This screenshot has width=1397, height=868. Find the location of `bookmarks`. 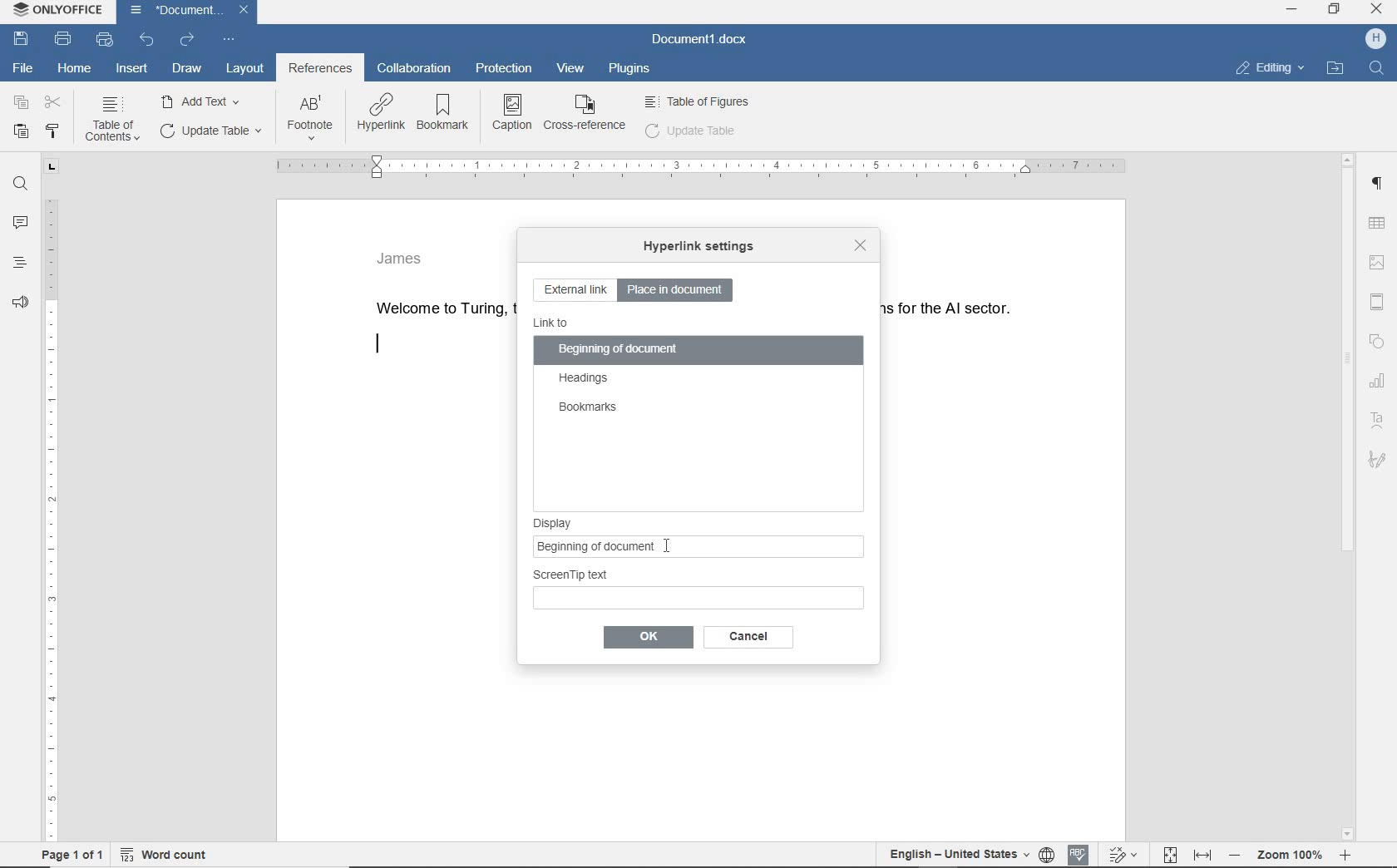

bookmarks is located at coordinates (587, 408).